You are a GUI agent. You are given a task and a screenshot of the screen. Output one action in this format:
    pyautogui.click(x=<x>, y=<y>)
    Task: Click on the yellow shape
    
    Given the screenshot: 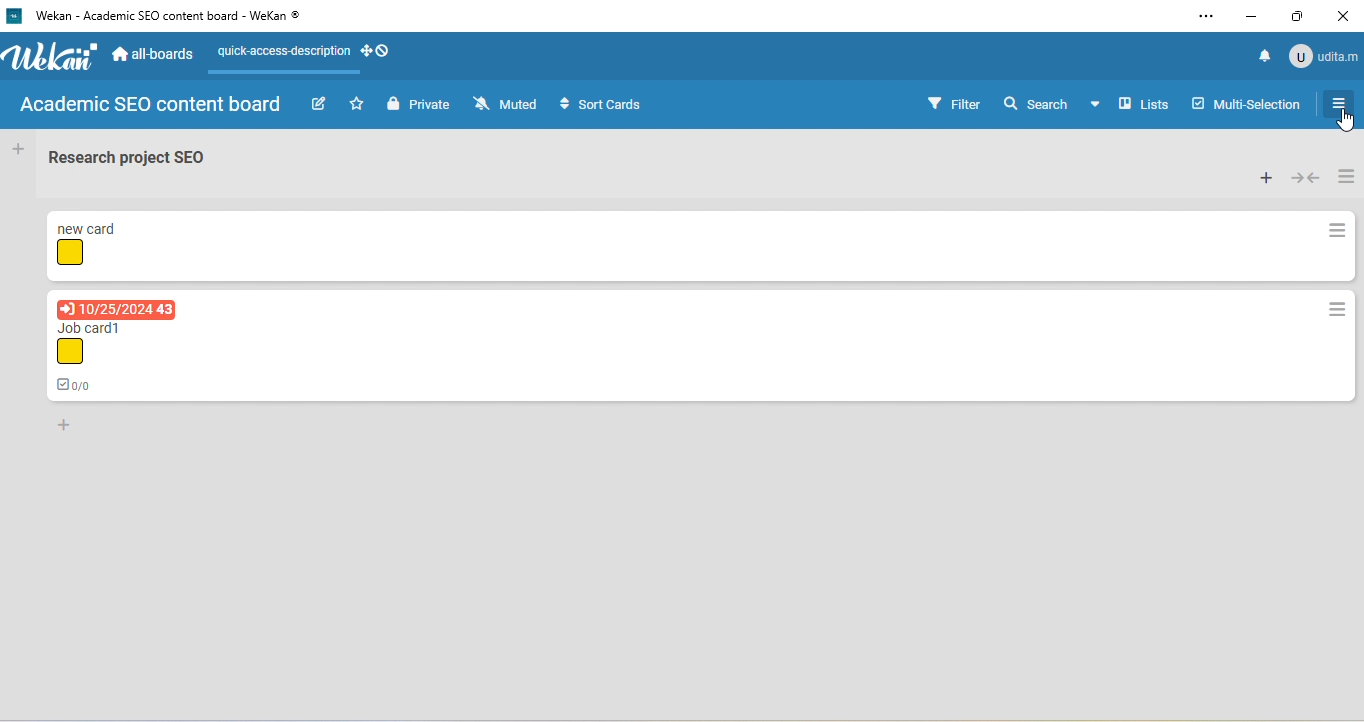 What is the action you would take?
    pyautogui.click(x=72, y=352)
    